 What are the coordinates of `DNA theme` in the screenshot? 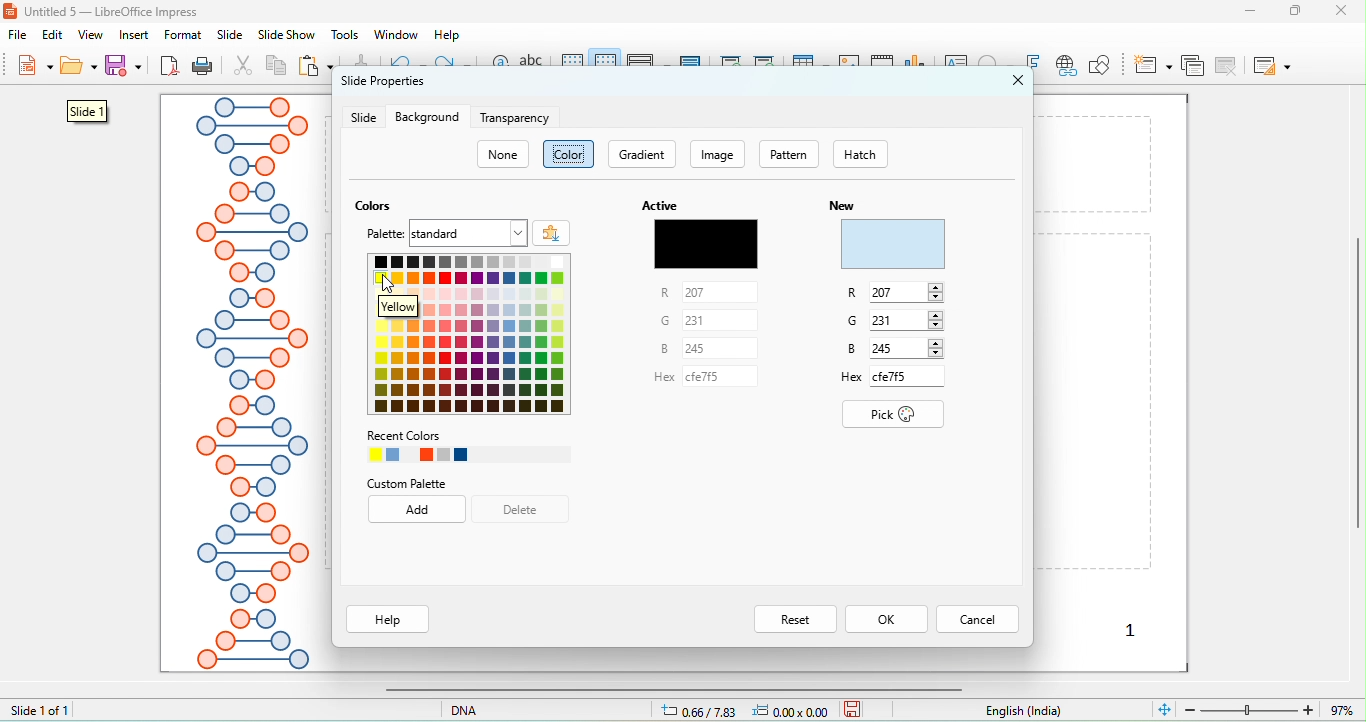 It's located at (250, 384).